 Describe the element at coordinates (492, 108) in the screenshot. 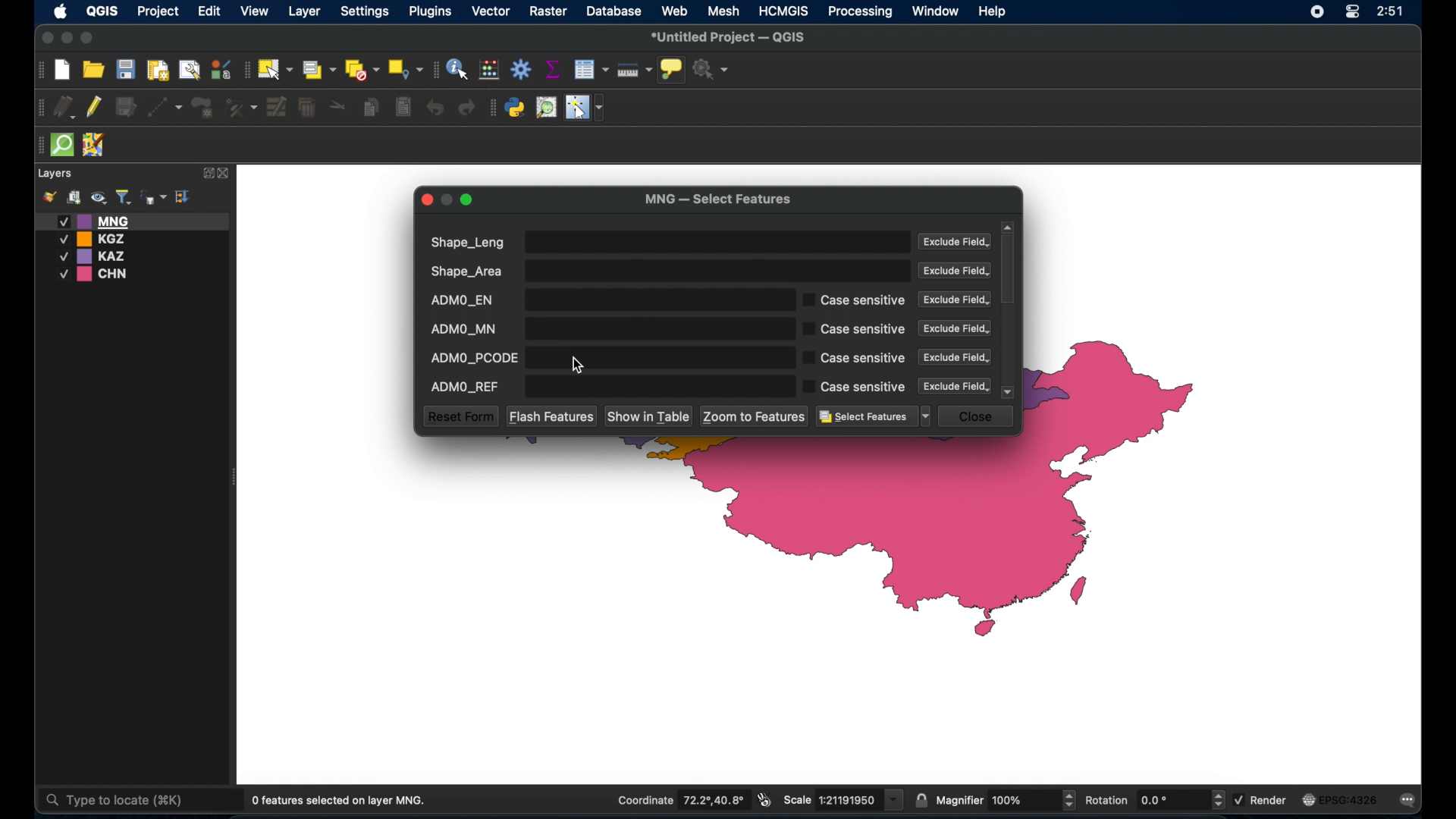

I see `plugins` at that location.